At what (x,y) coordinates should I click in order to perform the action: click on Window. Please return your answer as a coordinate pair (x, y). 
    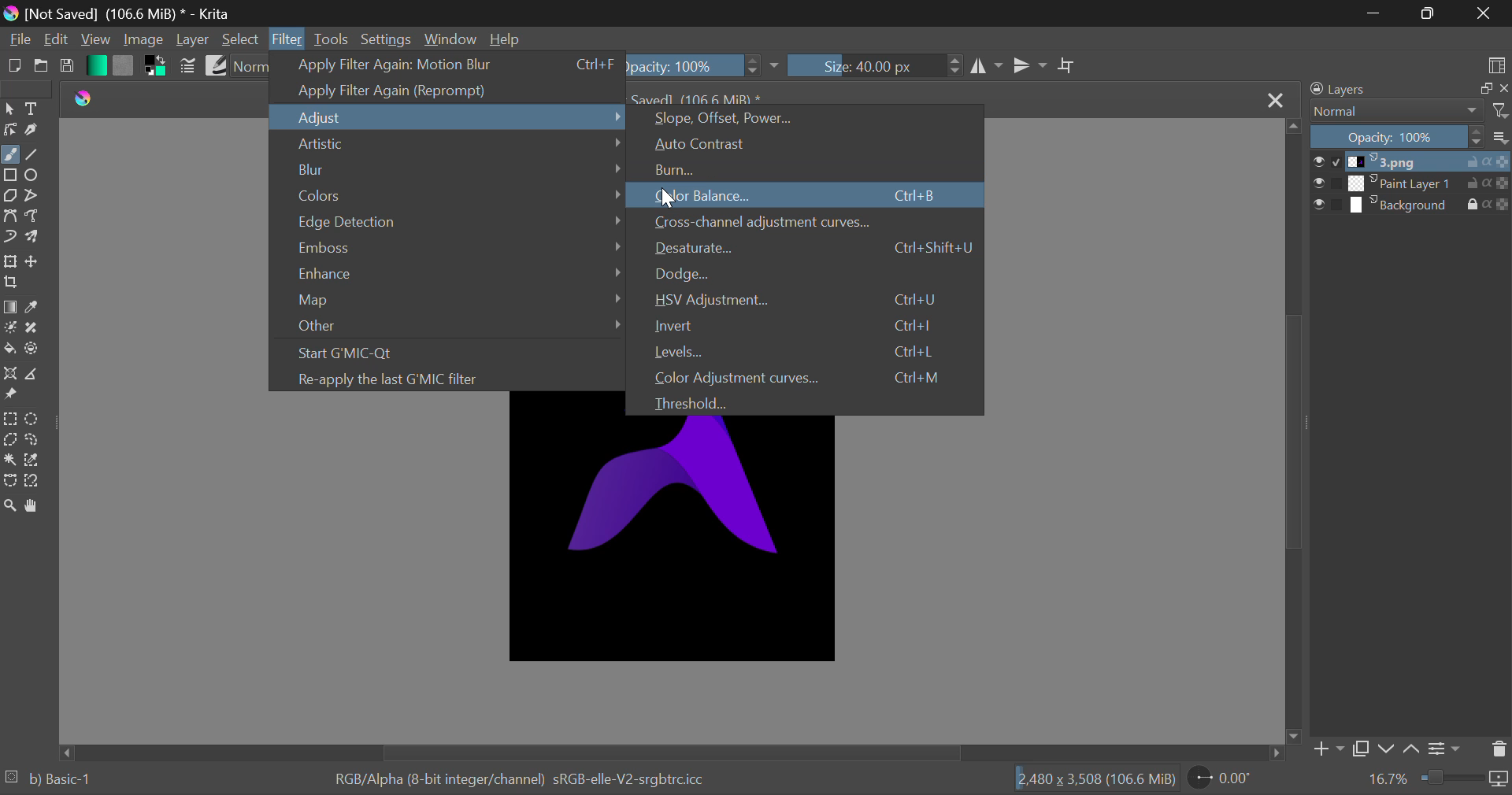
    Looking at the image, I should click on (450, 39).